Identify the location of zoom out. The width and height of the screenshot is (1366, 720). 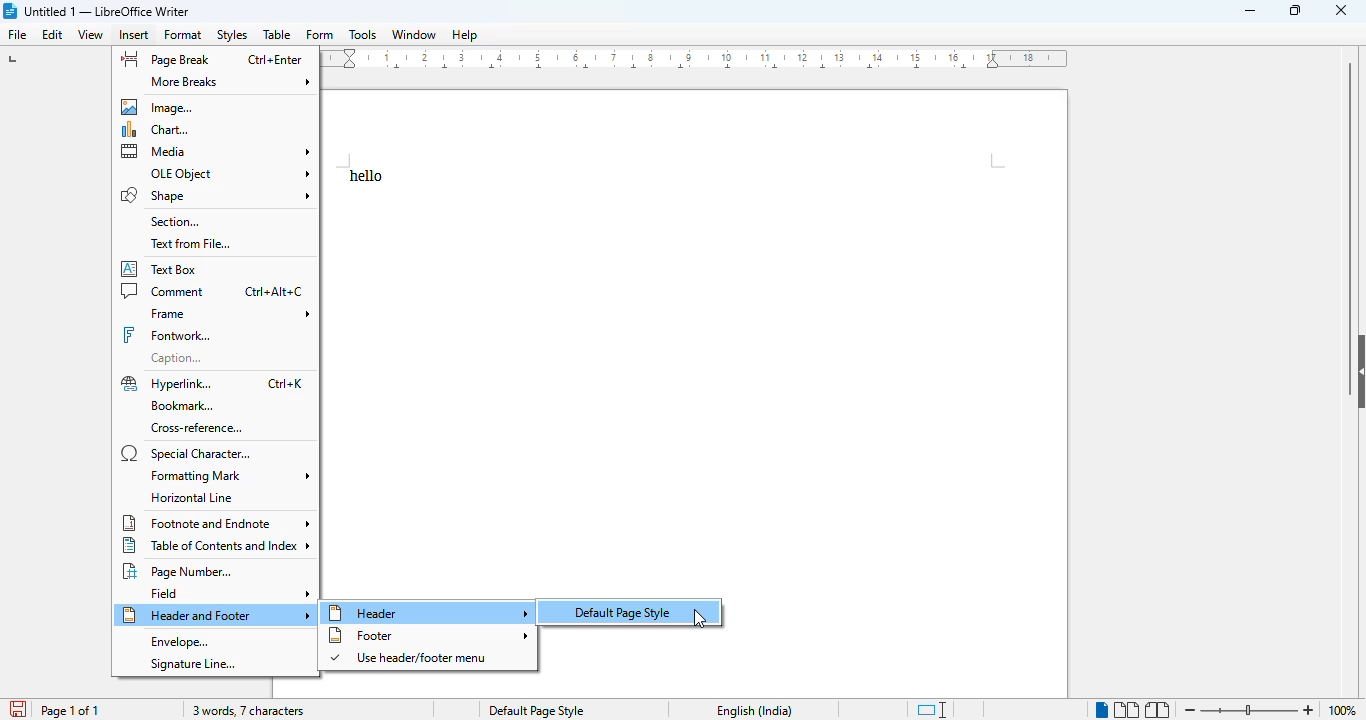
(1190, 709).